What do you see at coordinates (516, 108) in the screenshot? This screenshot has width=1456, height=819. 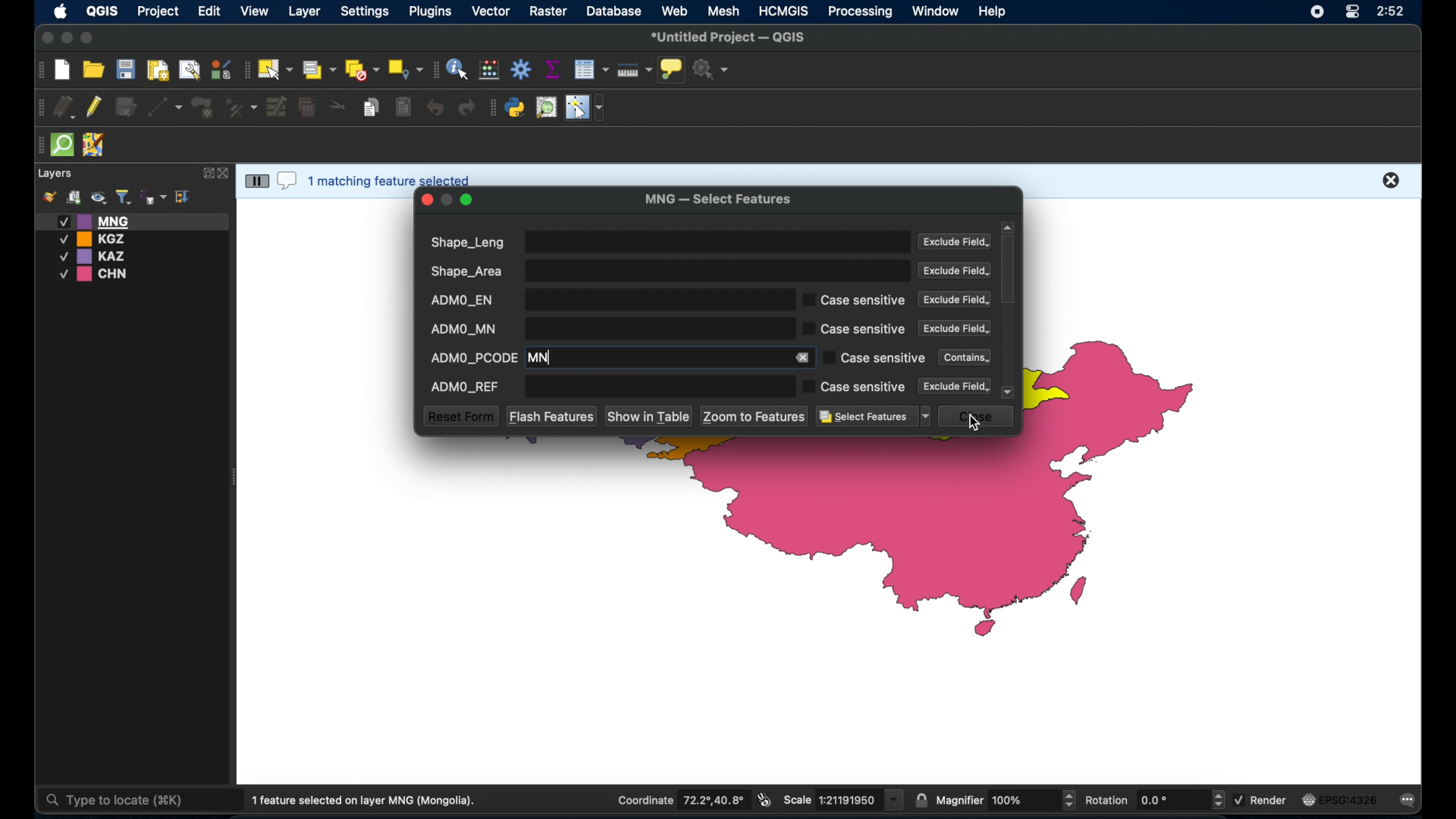 I see `python console` at bounding box center [516, 108].